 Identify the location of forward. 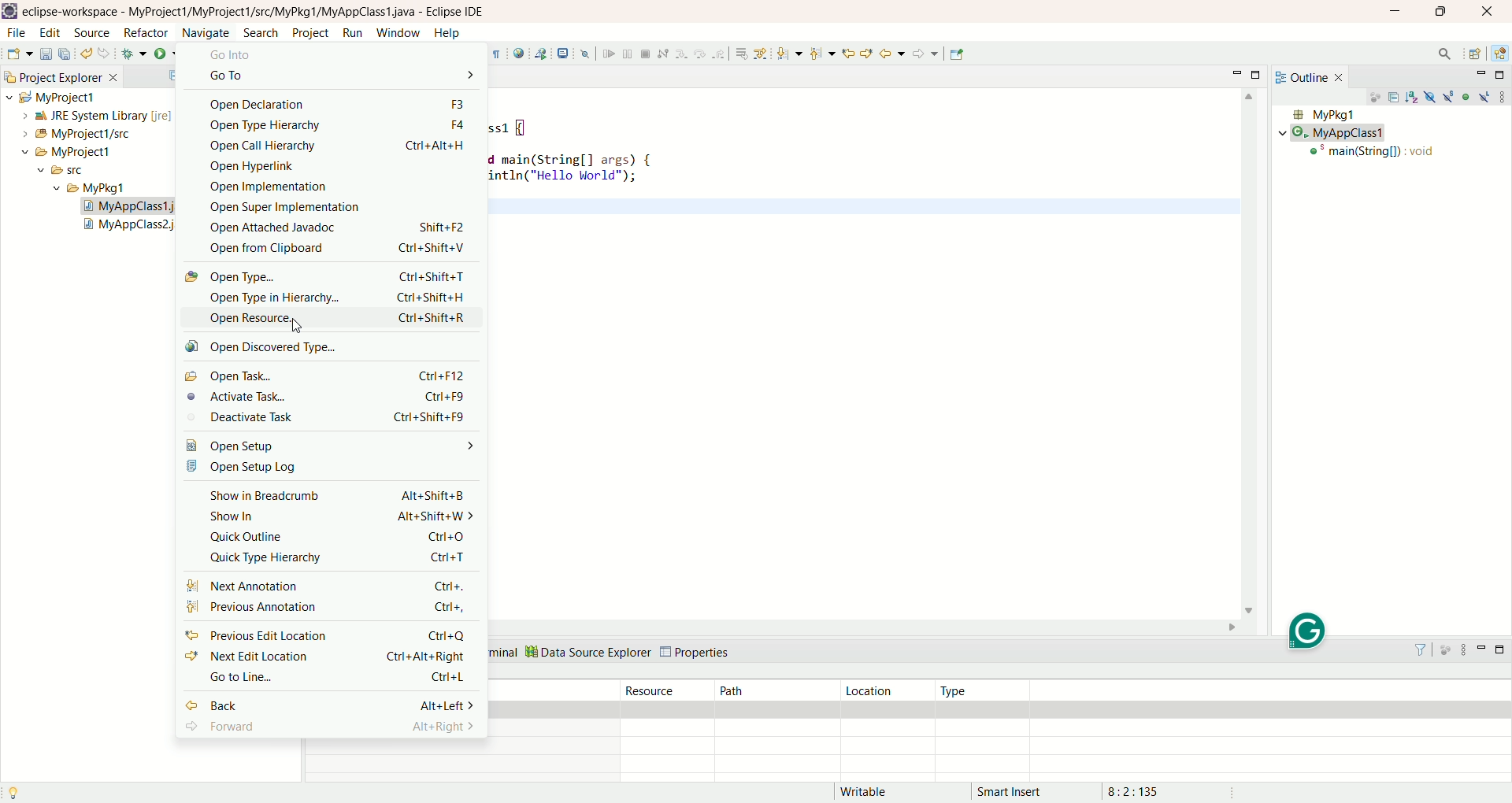
(329, 727).